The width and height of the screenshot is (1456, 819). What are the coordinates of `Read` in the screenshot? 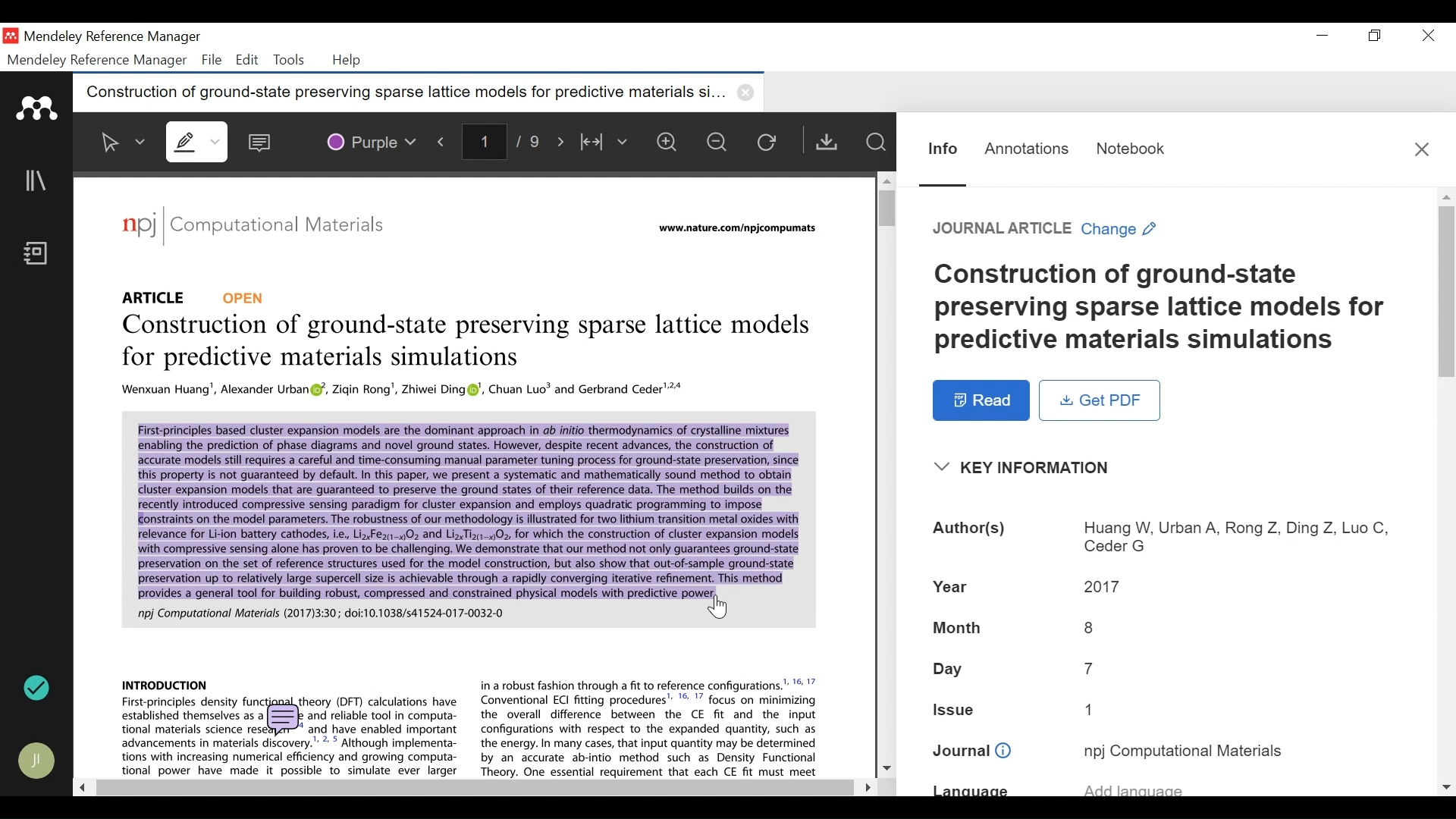 It's located at (982, 400).